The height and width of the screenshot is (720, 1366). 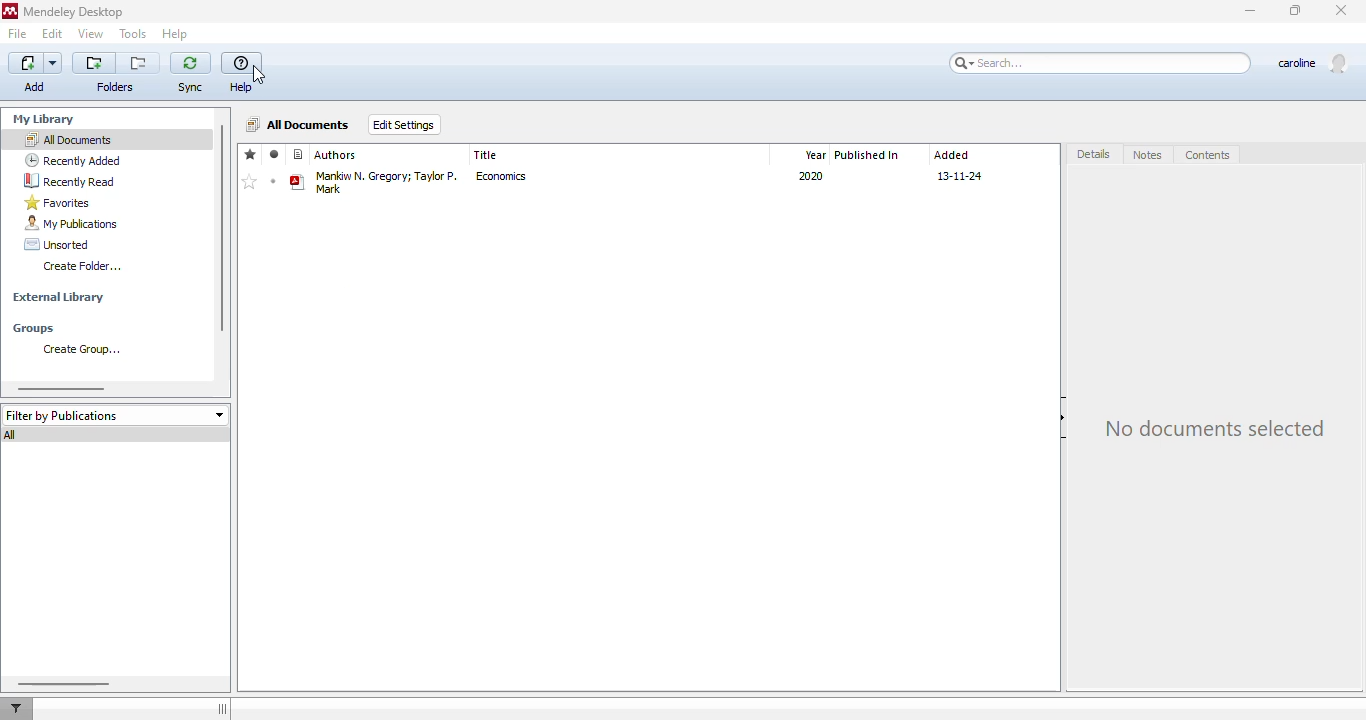 I want to click on recently added, so click(x=73, y=160).